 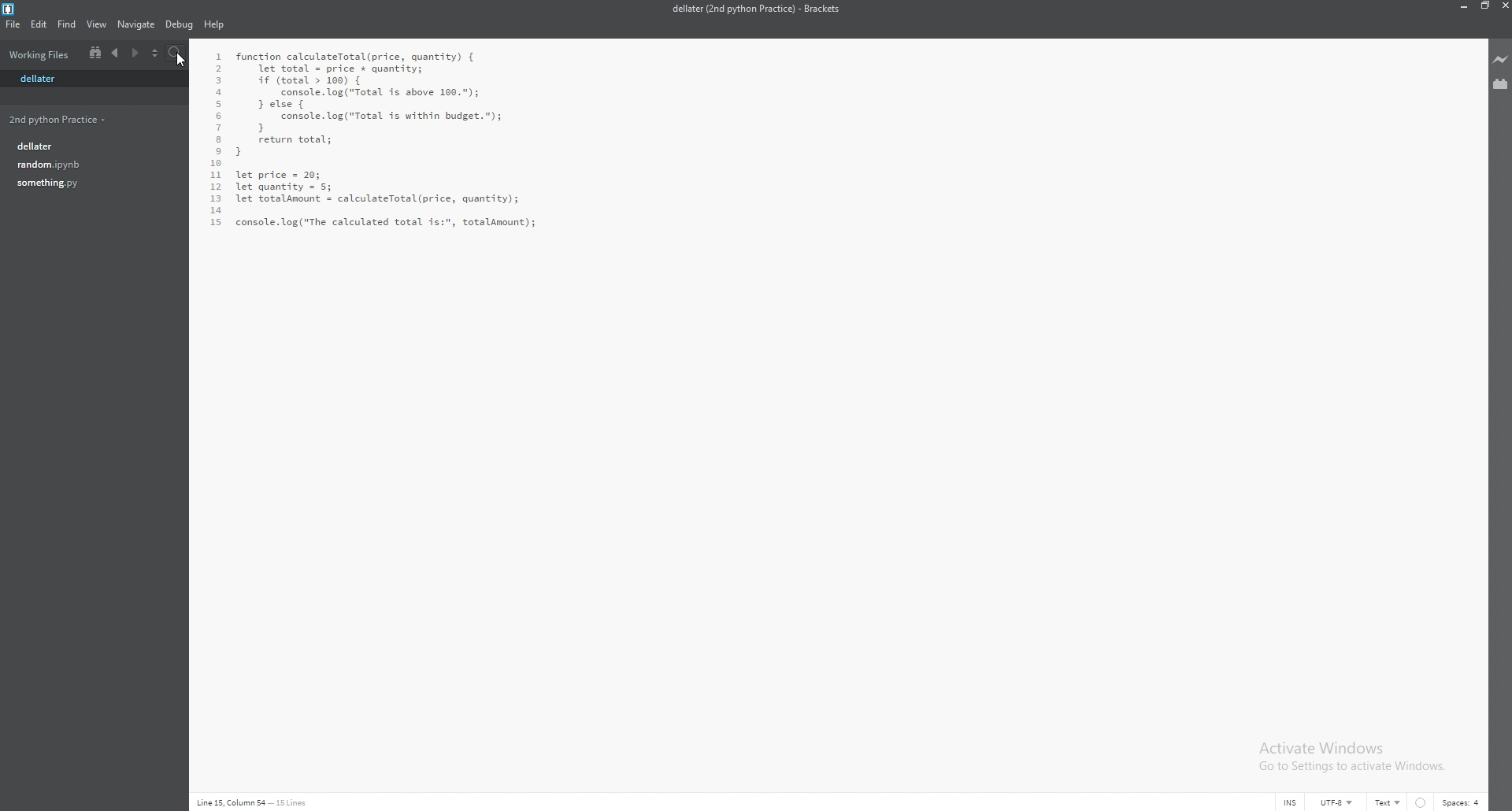 What do you see at coordinates (217, 163) in the screenshot?
I see `10` at bounding box center [217, 163].